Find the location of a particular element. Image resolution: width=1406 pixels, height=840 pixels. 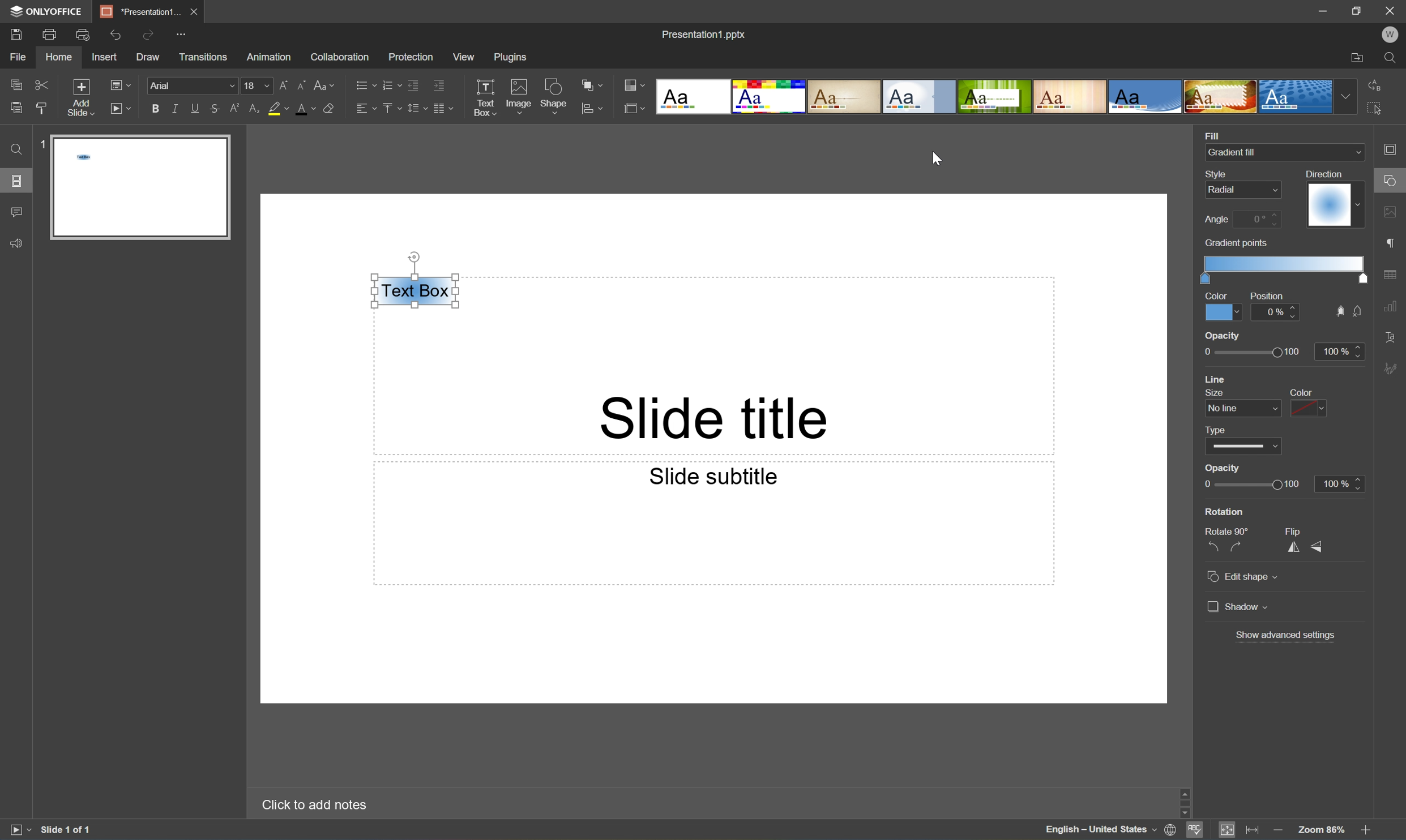

Comments is located at coordinates (18, 211).